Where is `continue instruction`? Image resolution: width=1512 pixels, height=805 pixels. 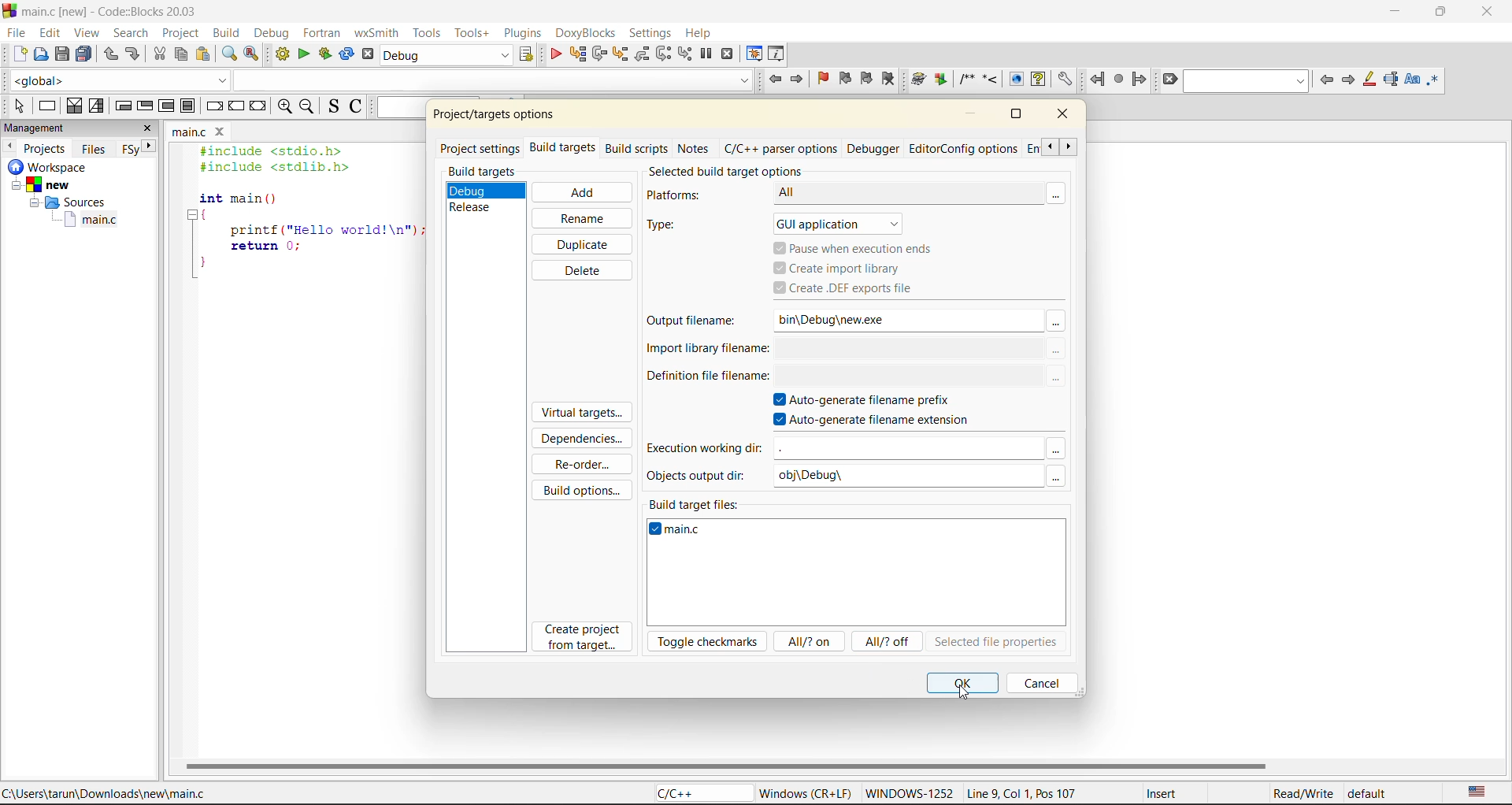 continue instruction is located at coordinates (236, 107).